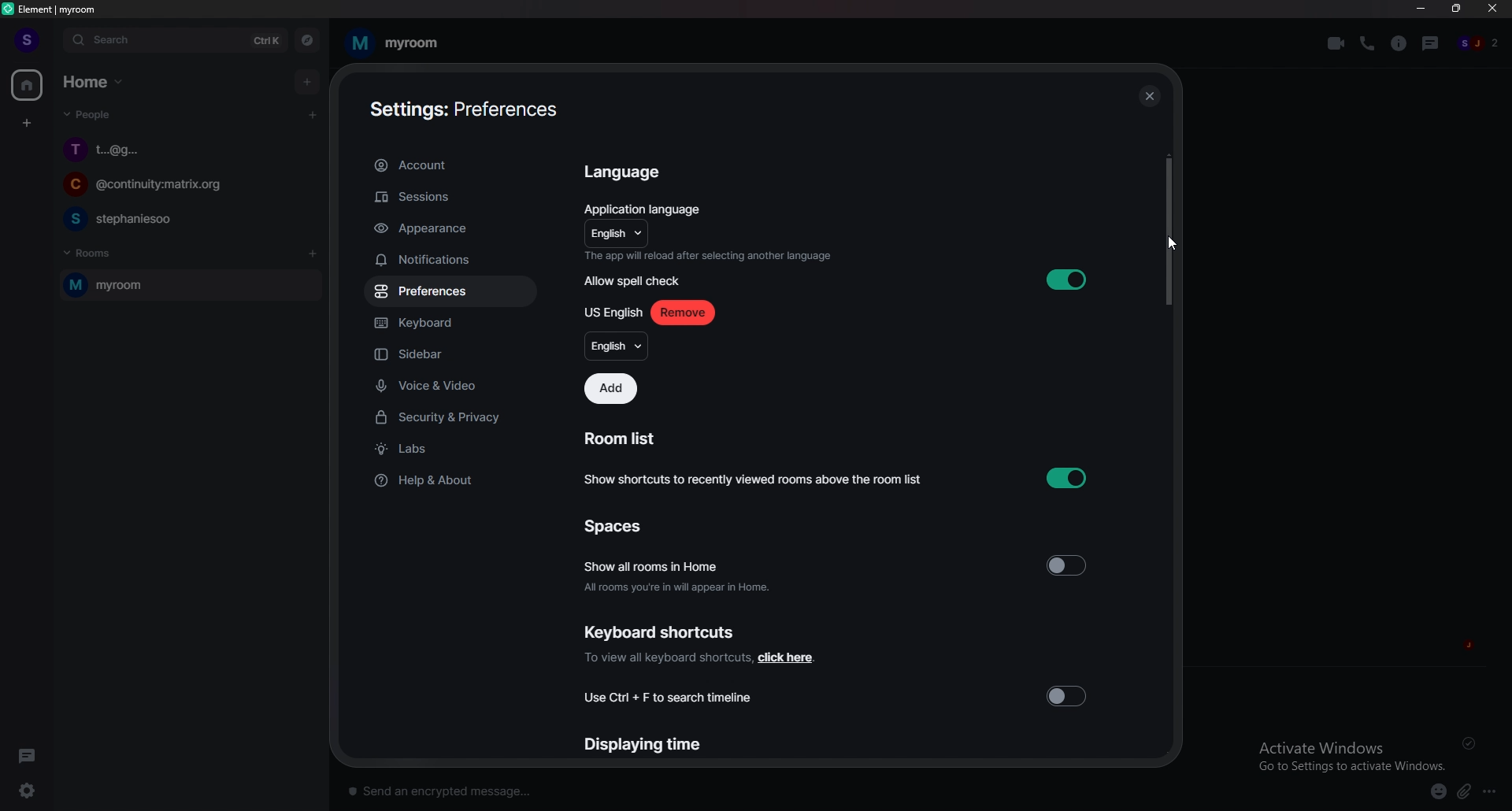 The image size is (1512, 811). I want to click on settings account, so click(457, 111).